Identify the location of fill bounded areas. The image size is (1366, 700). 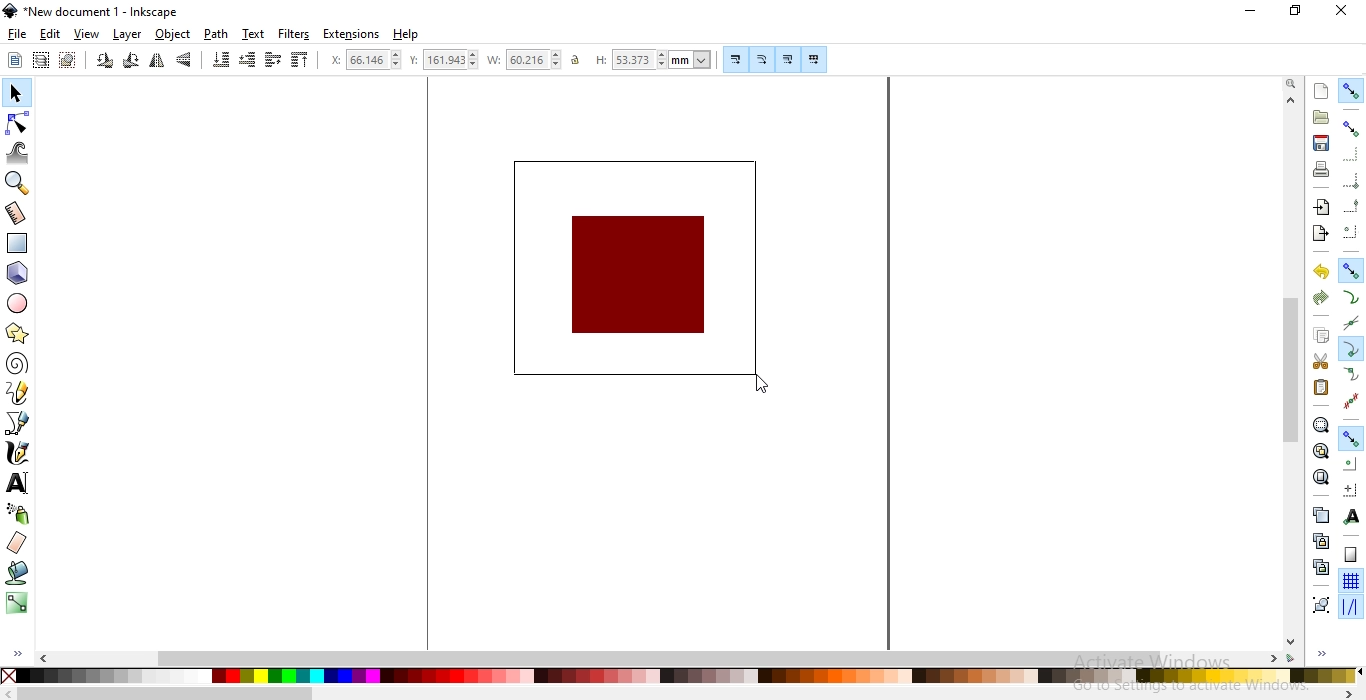
(16, 575).